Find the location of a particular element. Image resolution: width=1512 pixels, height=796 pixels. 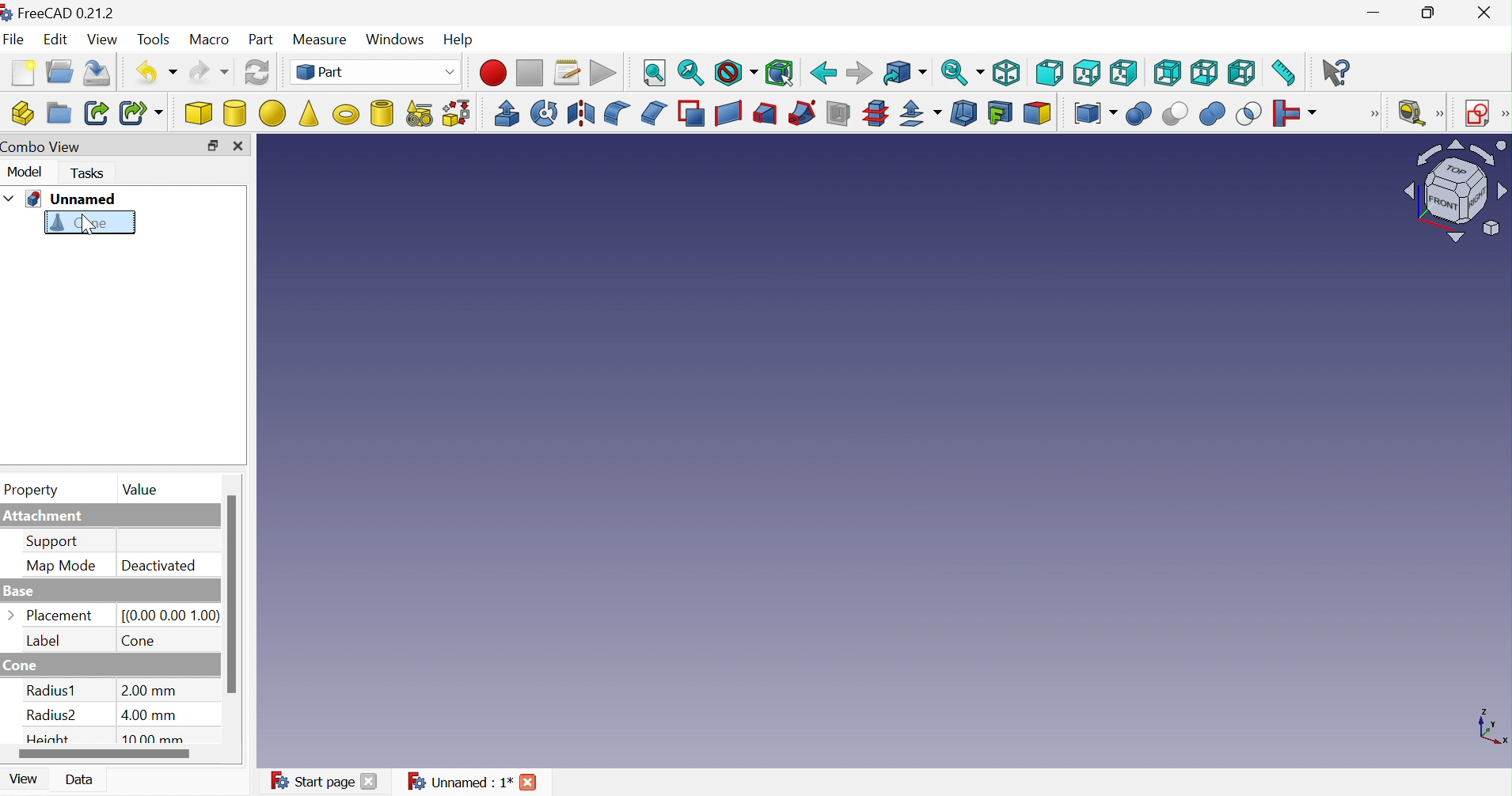

Bottom is located at coordinates (1203, 74).